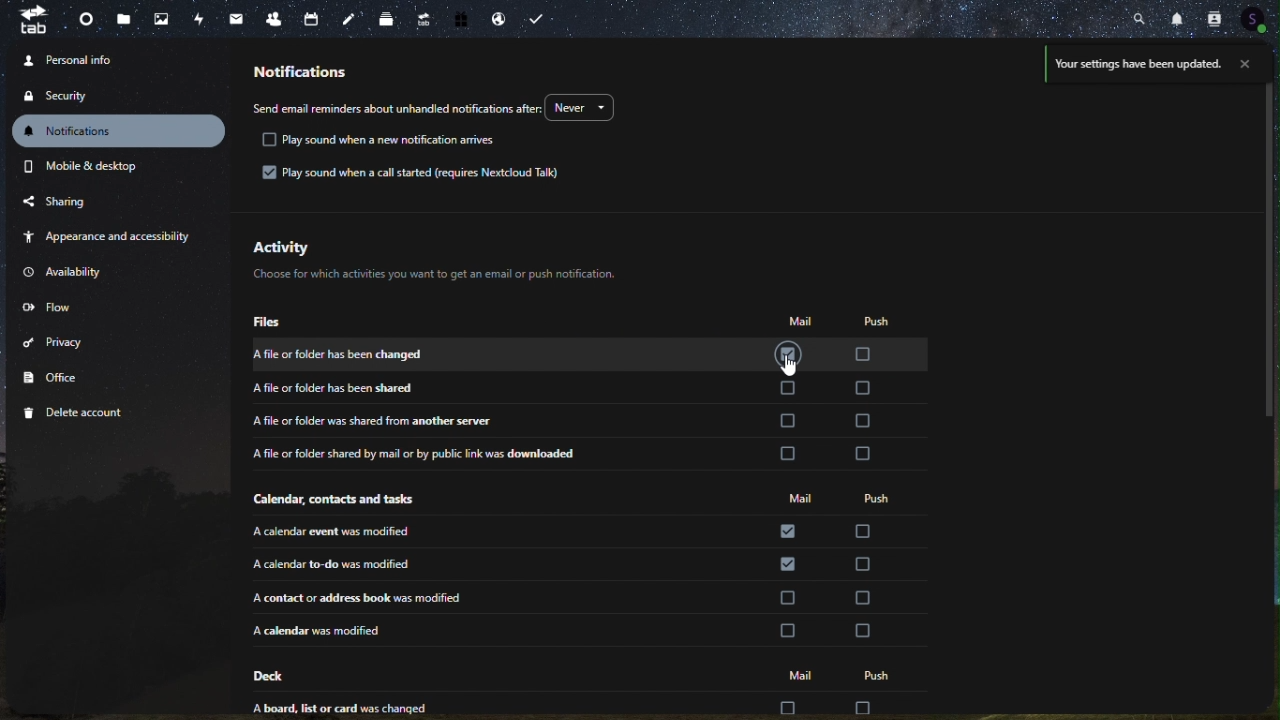  What do you see at coordinates (787, 389) in the screenshot?
I see `check box` at bounding box center [787, 389].